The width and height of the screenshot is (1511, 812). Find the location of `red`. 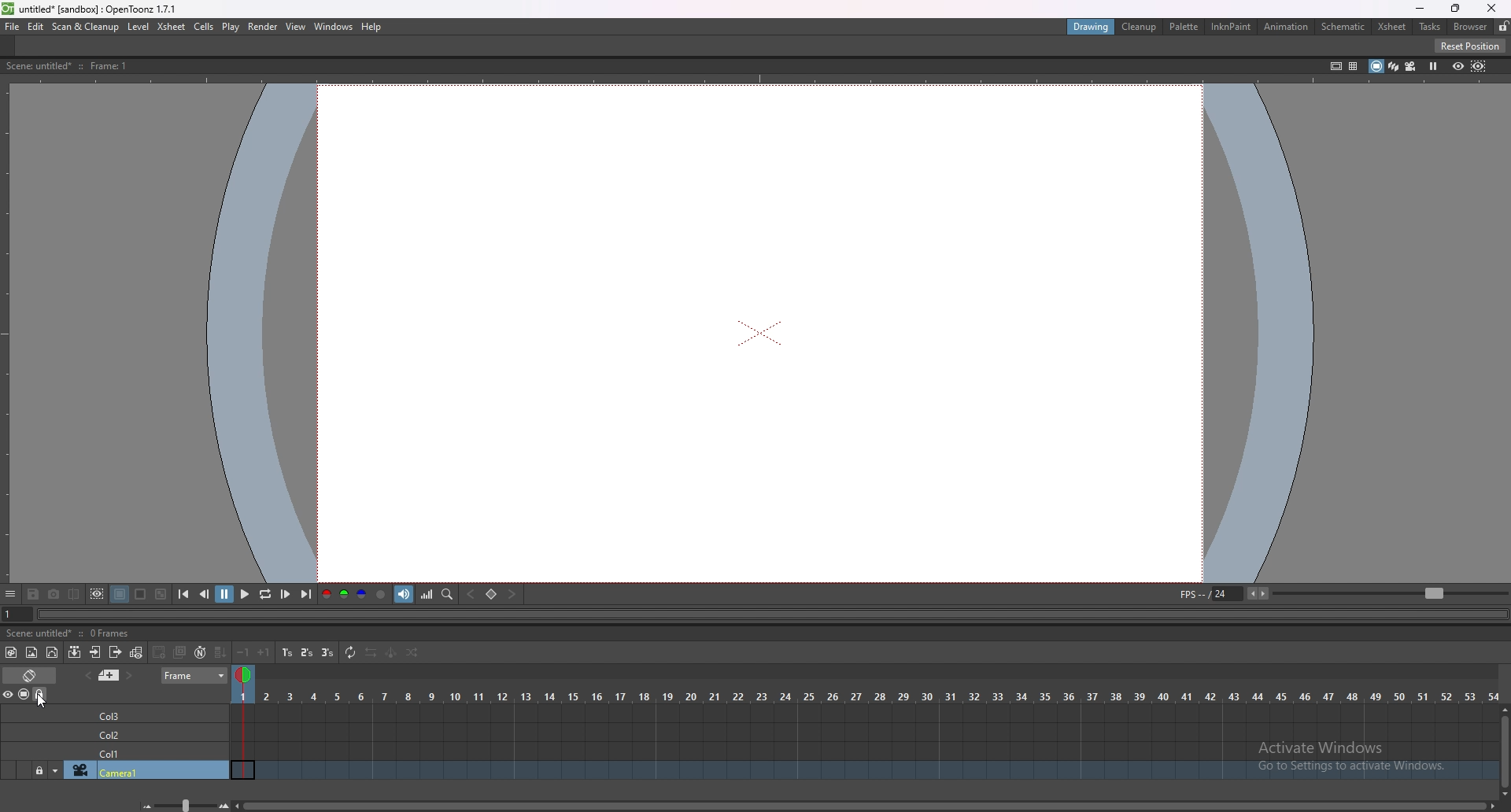

red is located at coordinates (326, 593).